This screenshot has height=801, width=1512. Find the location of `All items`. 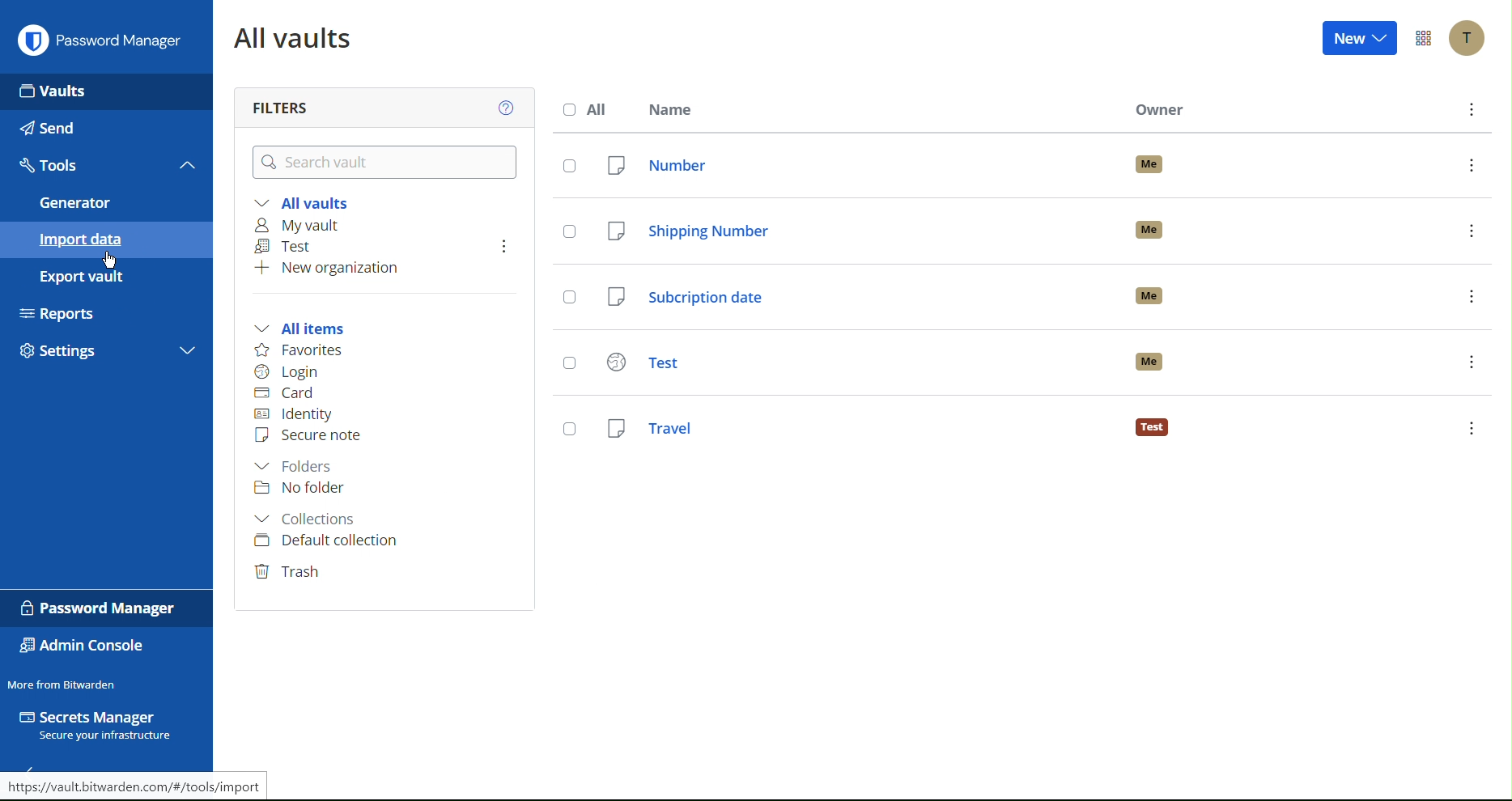

All items is located at coordinates (307, 329).